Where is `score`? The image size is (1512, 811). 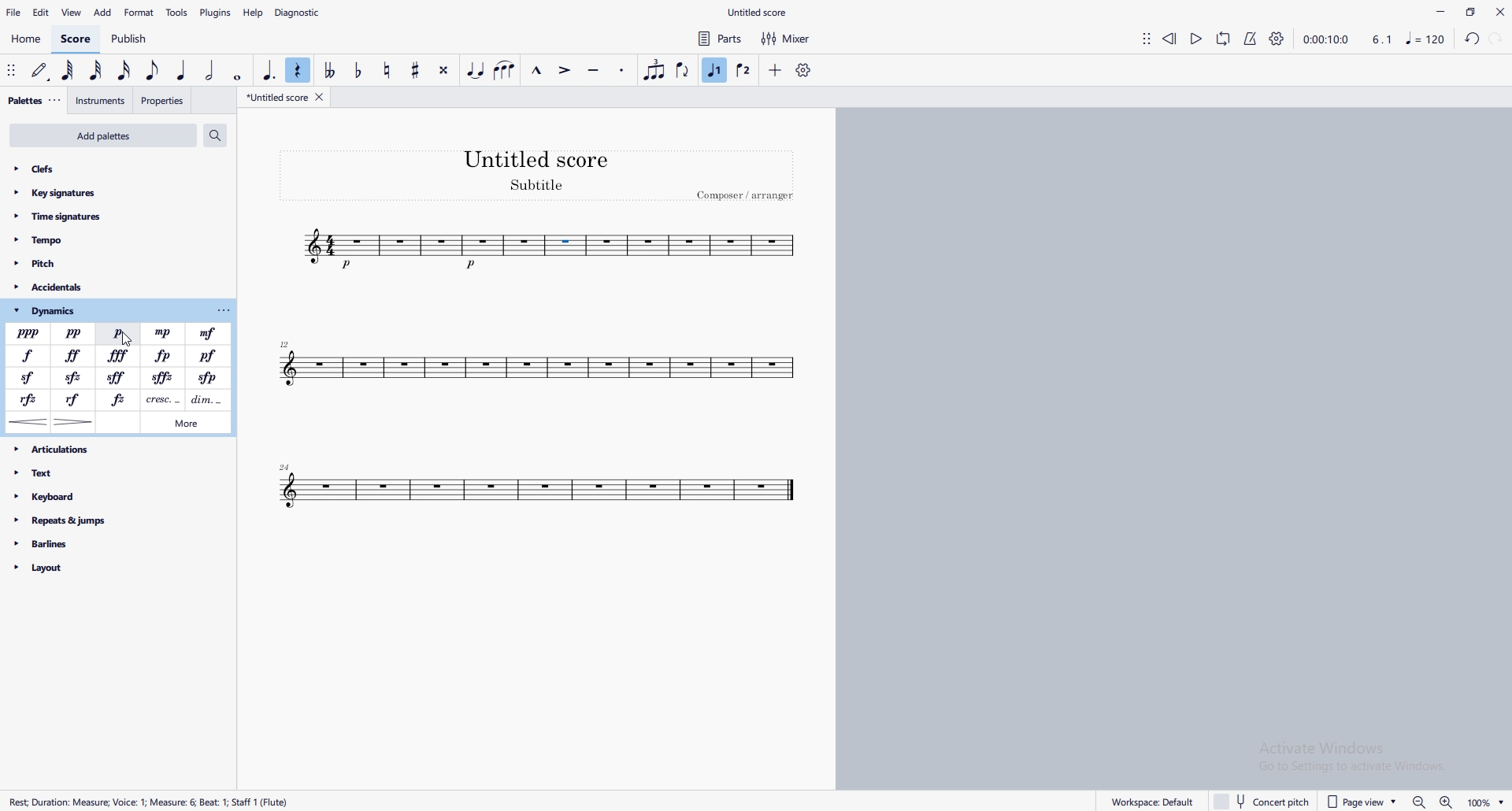 score is located at coordinates (78, 39).